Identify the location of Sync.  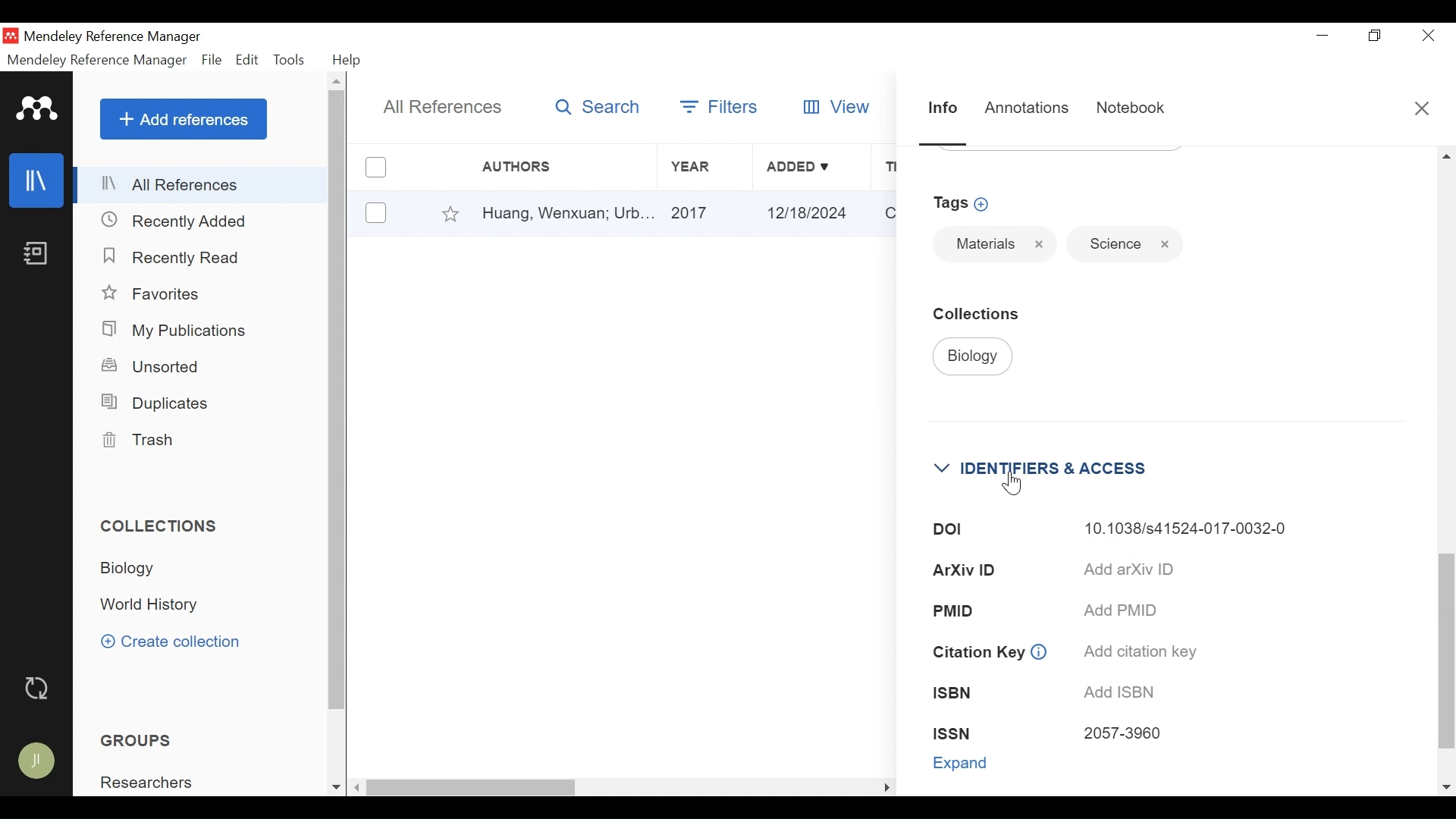
(39, 689).